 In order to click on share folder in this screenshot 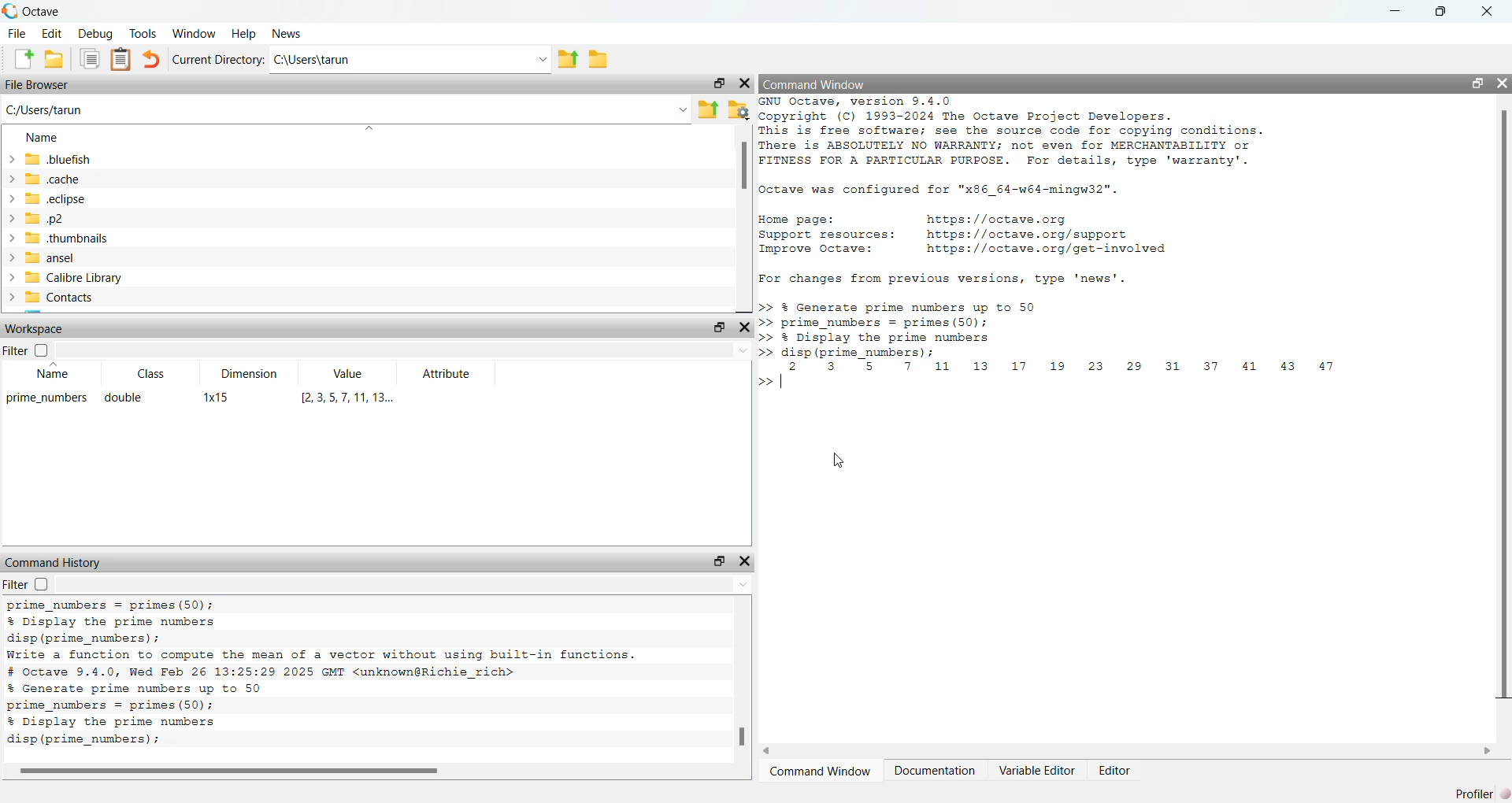, I will do `click(709, 110)`.